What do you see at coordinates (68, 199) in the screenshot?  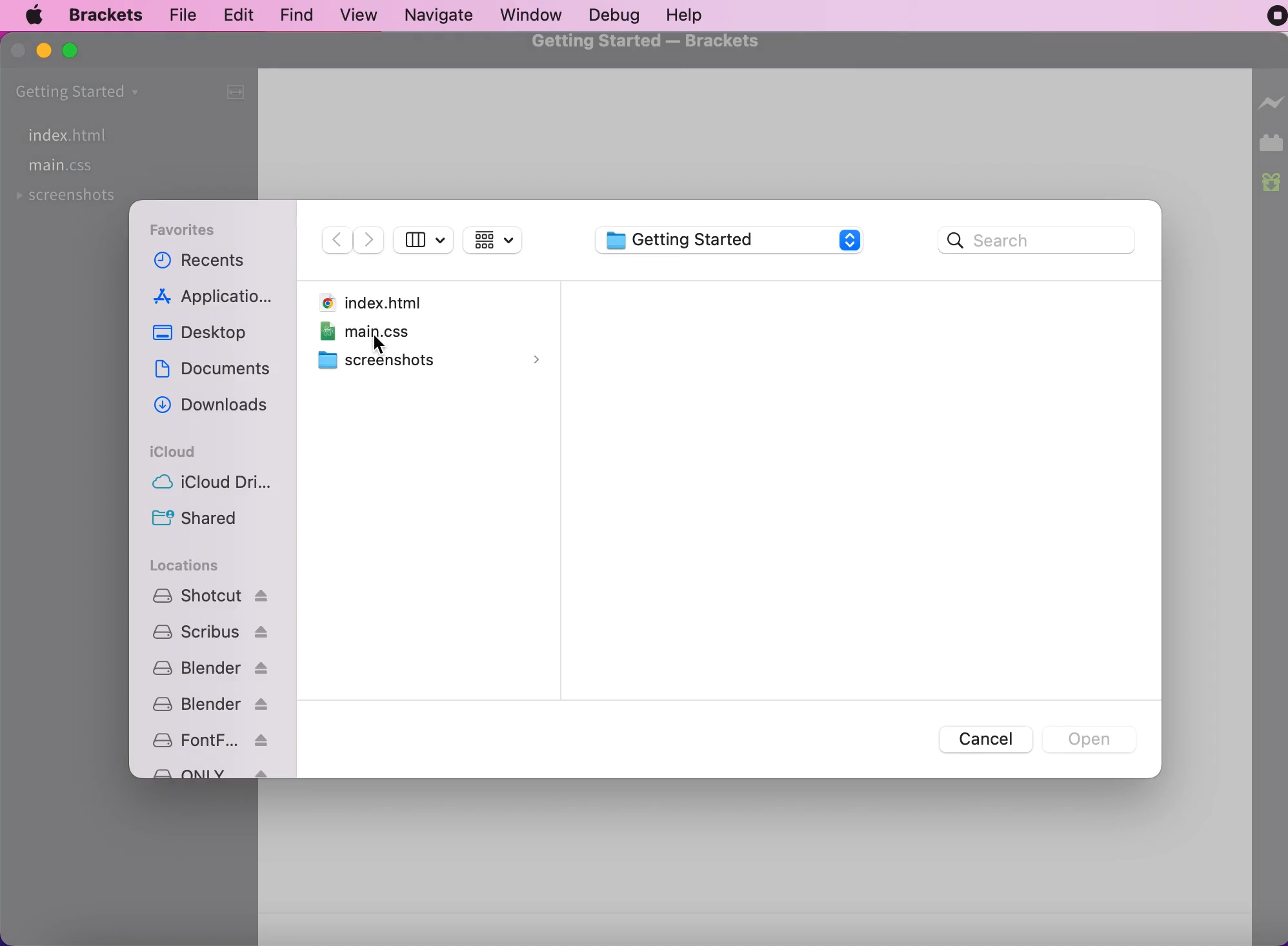 I see `screenshots` at bounding box center [68, 199].